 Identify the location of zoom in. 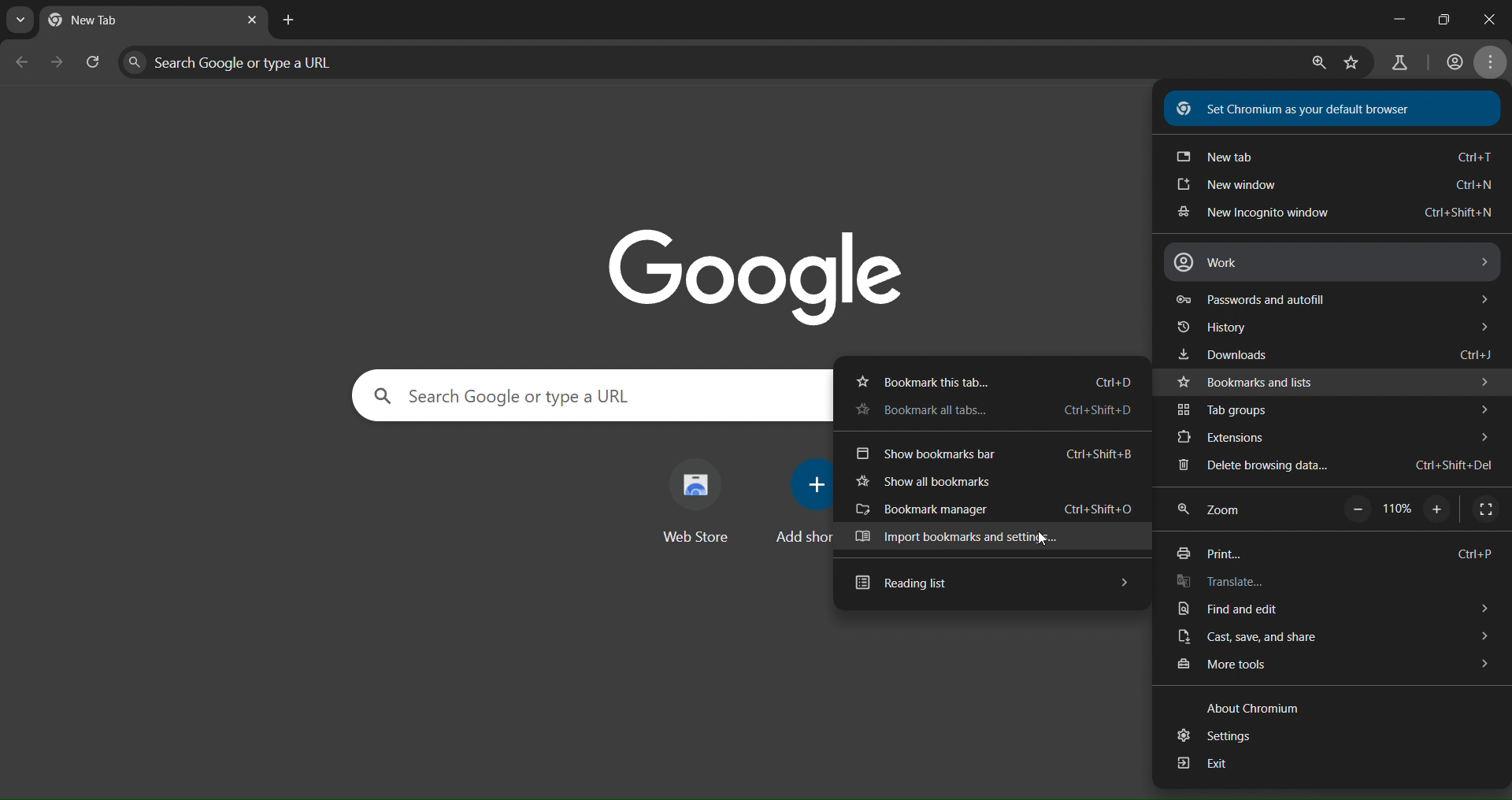
(1436, 512).